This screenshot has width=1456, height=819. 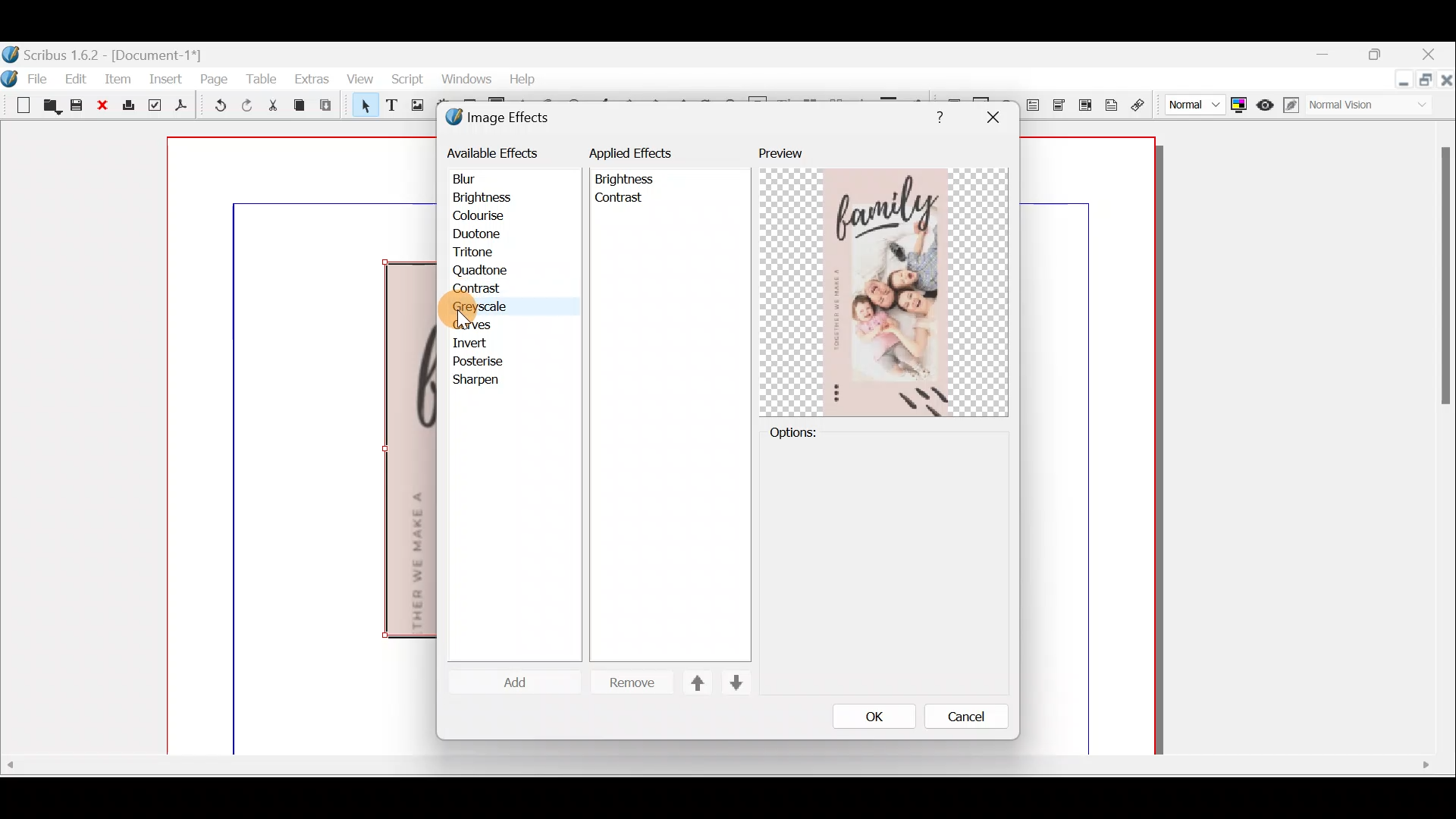 What do you see at coordinates (699, 684) in the screenshot?
I see `Up` at bounding box center [699, 684].